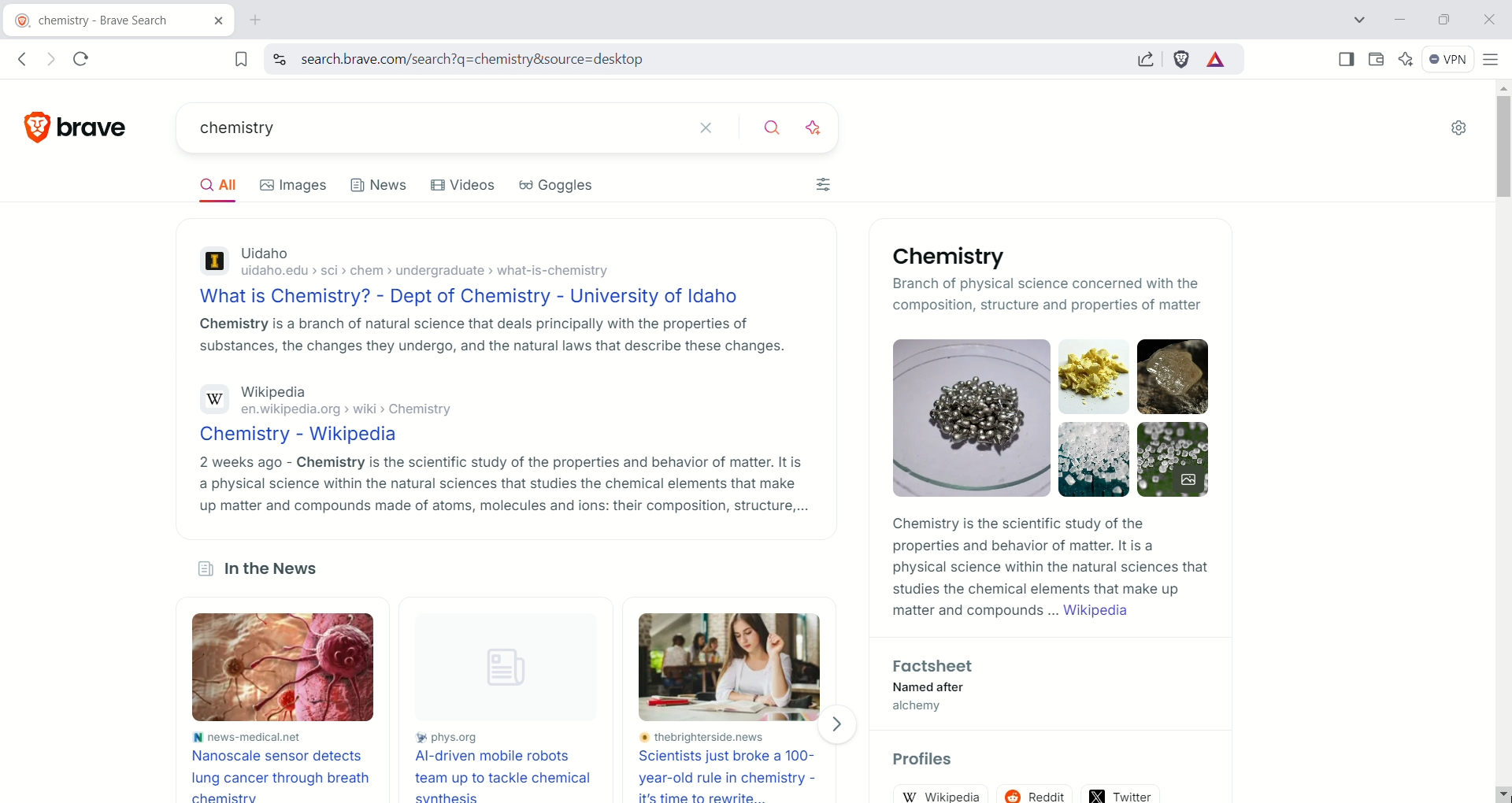 The image size is (1512, 803). I want to click on Chemistry is the scientific study of the
properties and behavior of matter. It is a
physical science within the natural sciences that
studies the chemical elements that make up
matter and compounds ... Wikipedia

2 9, so click(1047, 572).